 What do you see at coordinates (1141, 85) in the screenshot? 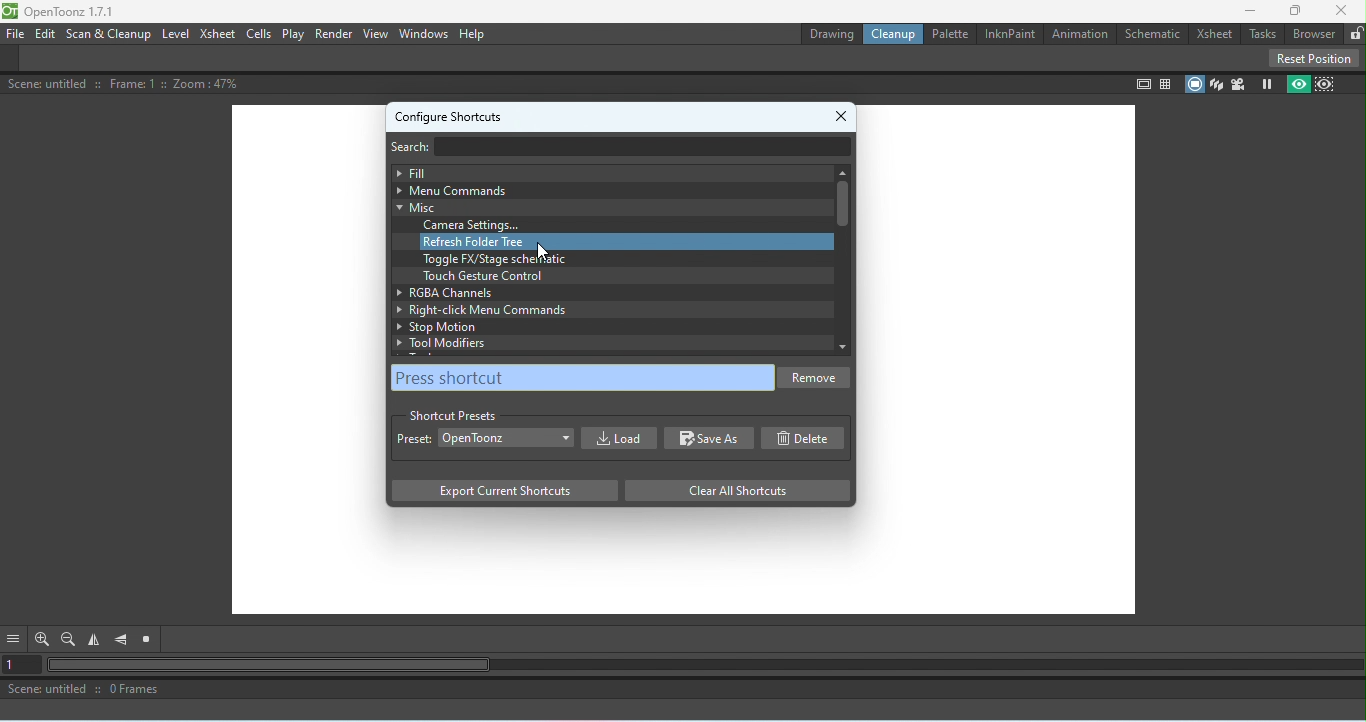
I see `Safe area` at bounding box center [1141, 85].